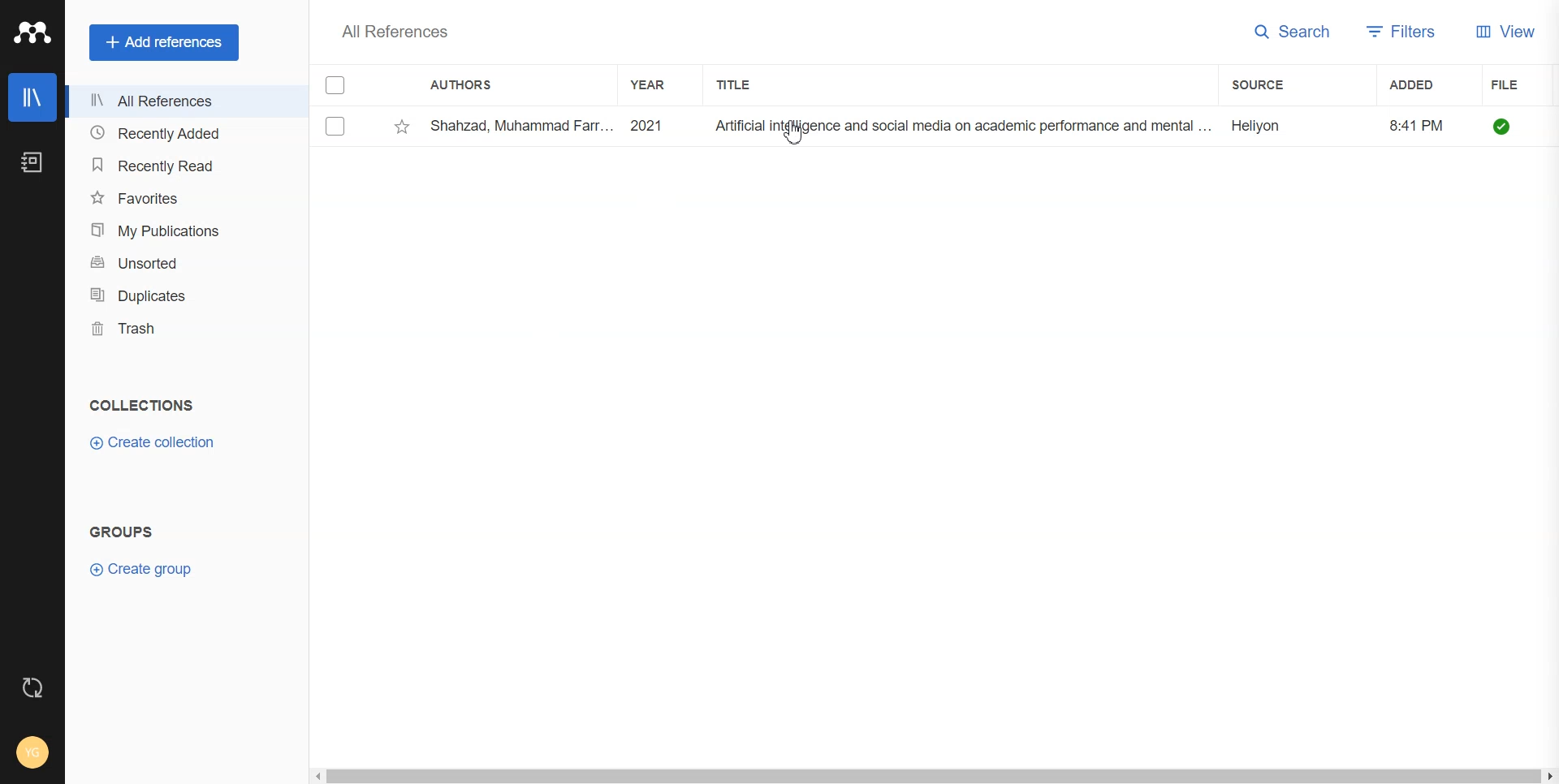 Image resolution: width=1559 pixels, height=784 pixels. I want to click on Trash, so click(184, 330).